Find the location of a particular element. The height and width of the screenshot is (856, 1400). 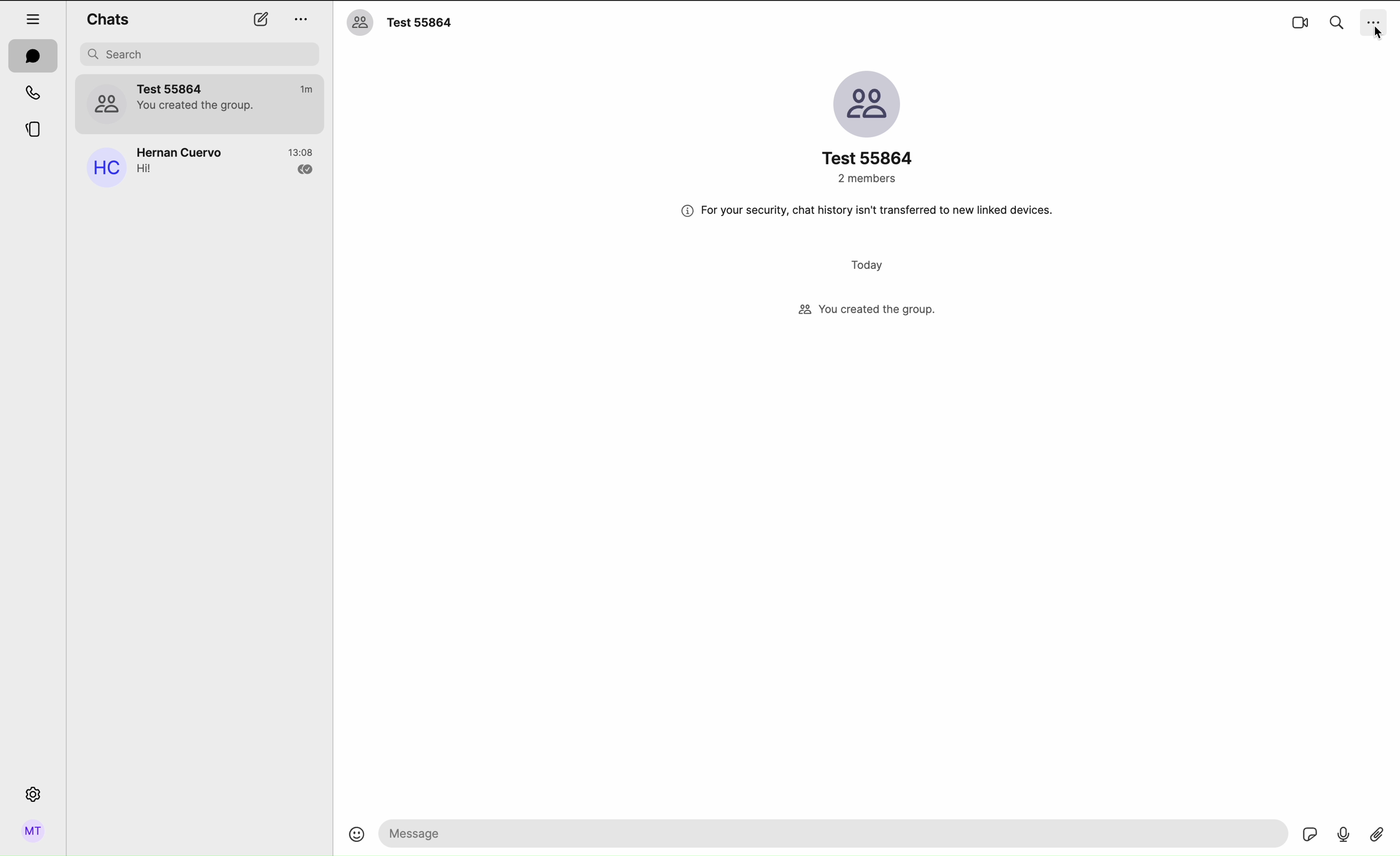

new chat is located at coordinates (260, 21).